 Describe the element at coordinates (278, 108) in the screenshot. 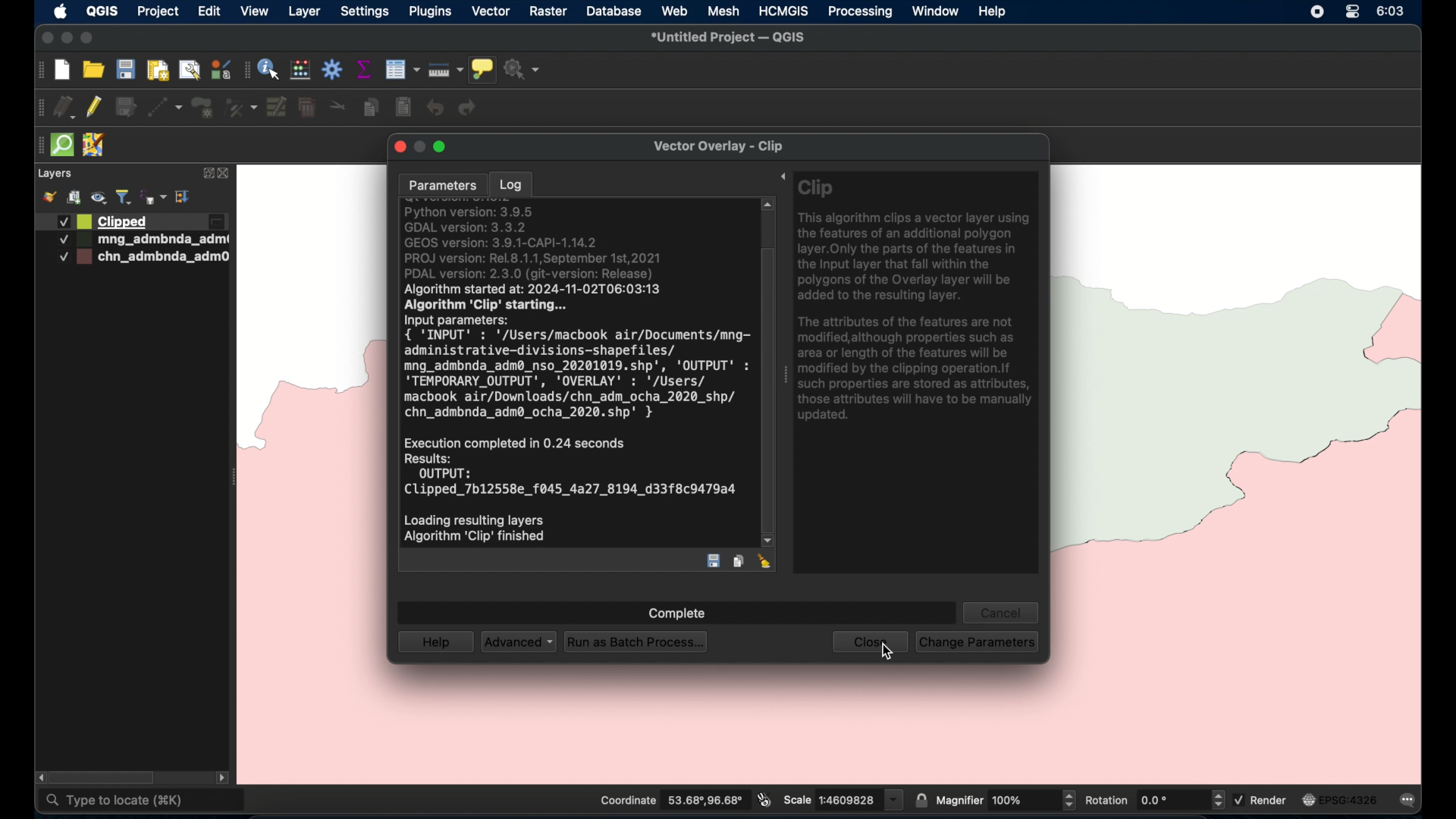

I see `modify attributes` at that location.